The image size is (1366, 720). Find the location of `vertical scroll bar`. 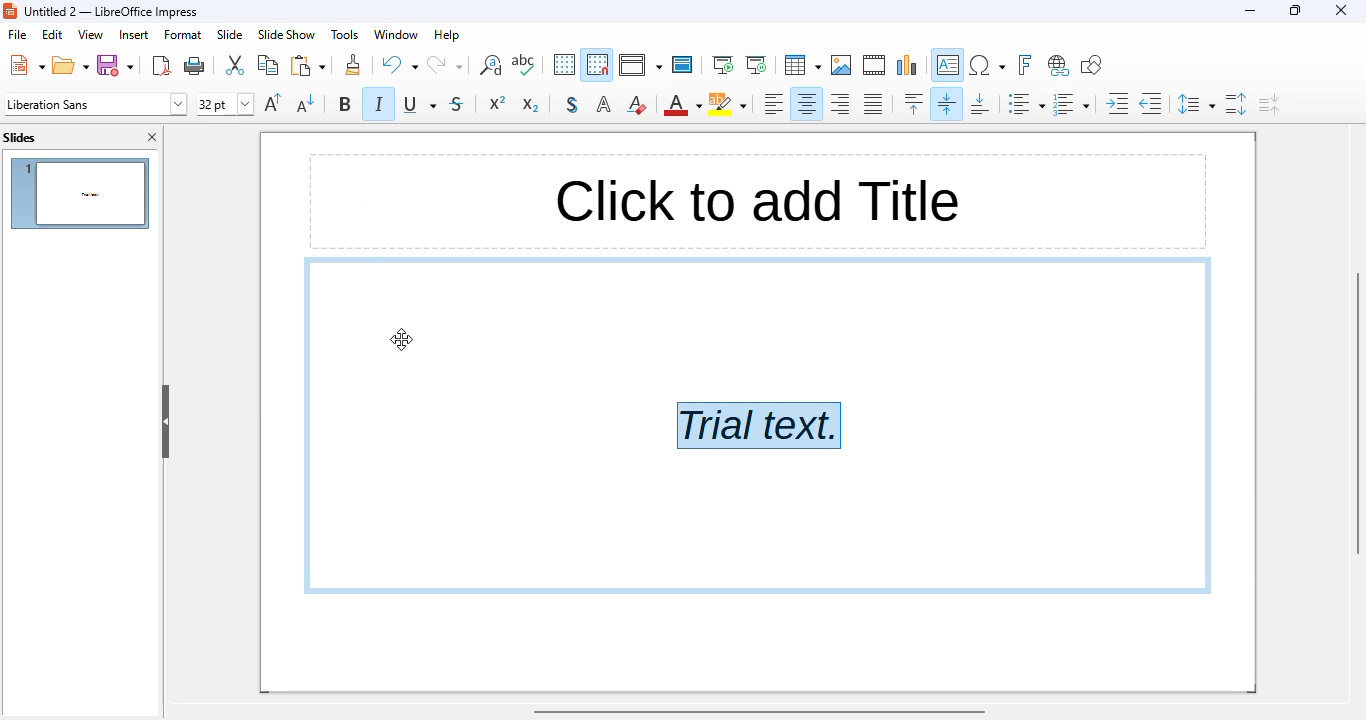

vertical scroll bar is located at coordinates (1357, 412).